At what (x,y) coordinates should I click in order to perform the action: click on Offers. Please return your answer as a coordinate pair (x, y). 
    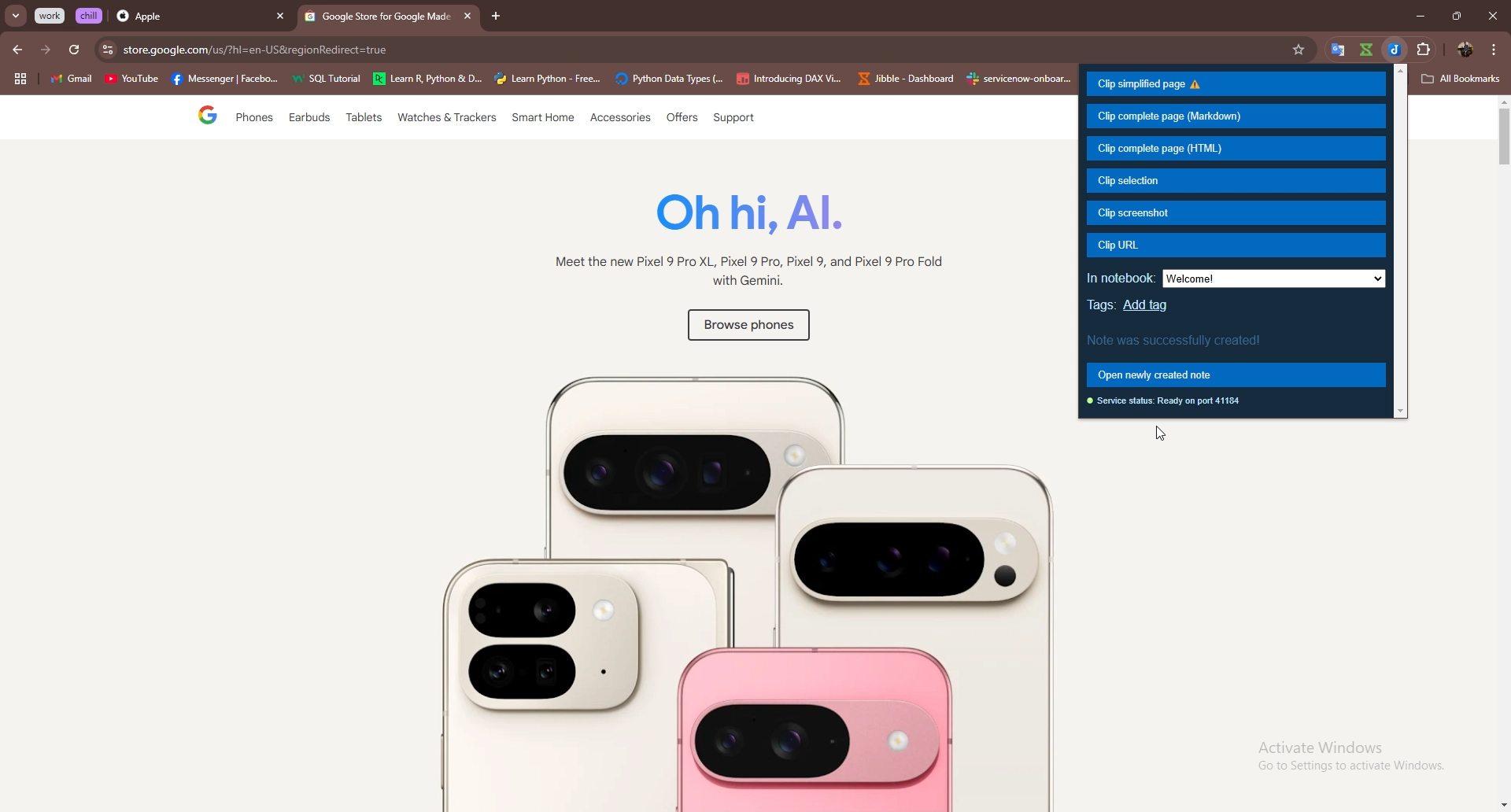
    Looking at the image, I should click on (681, 118).